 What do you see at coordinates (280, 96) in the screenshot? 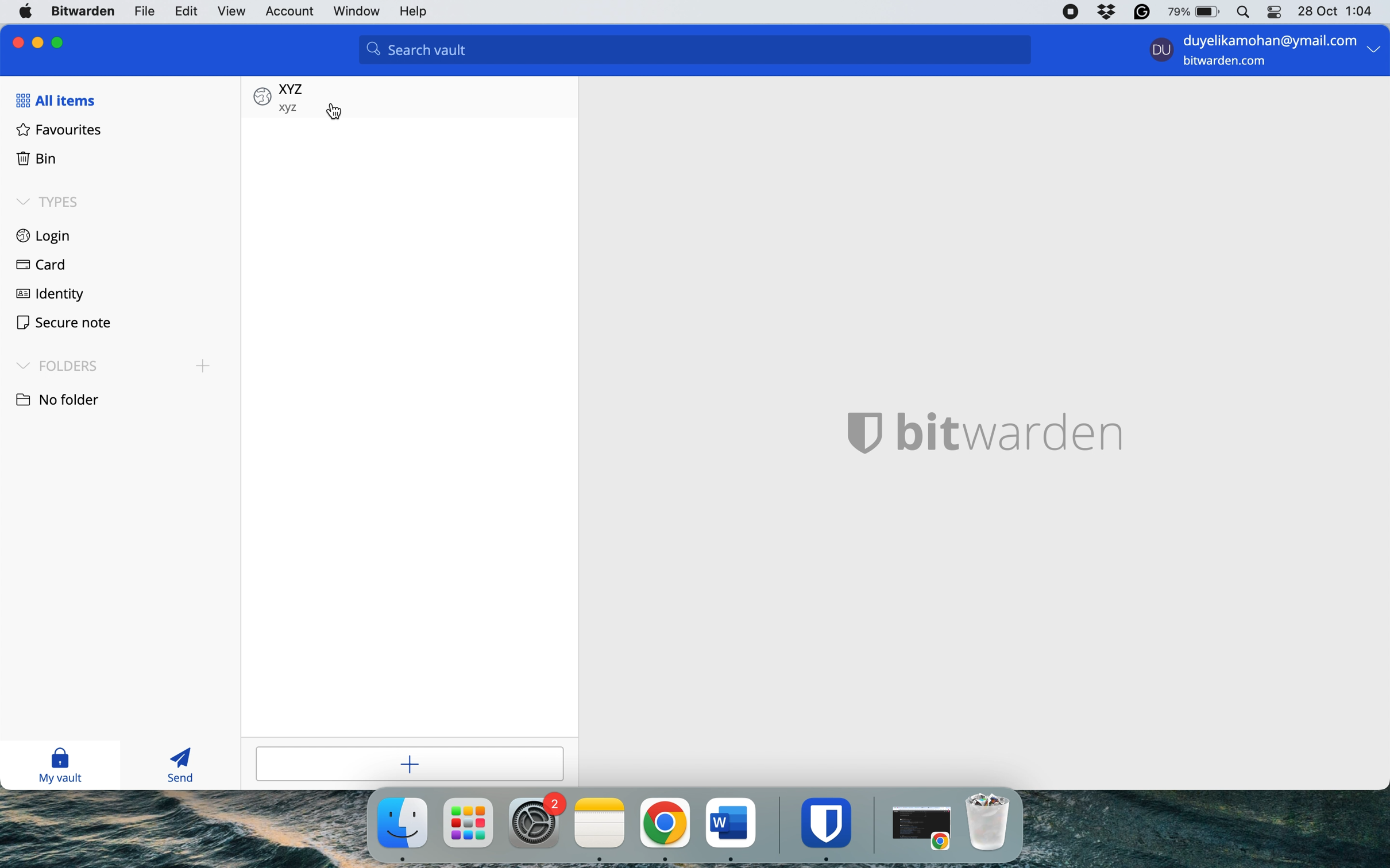
I see `saved password` at bounding box center [280, 96].